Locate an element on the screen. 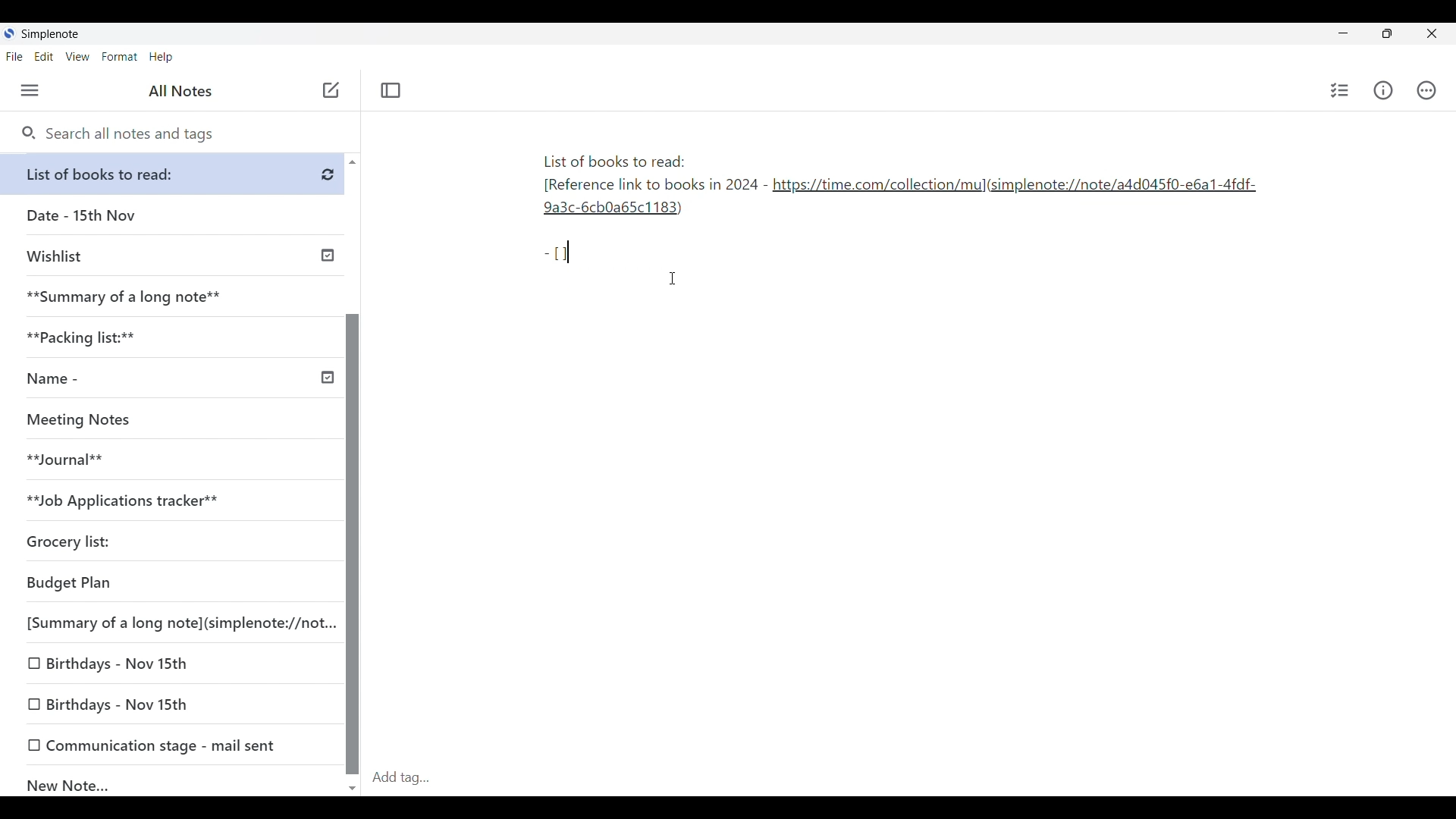  Close is located at coordinates (1432, 34).